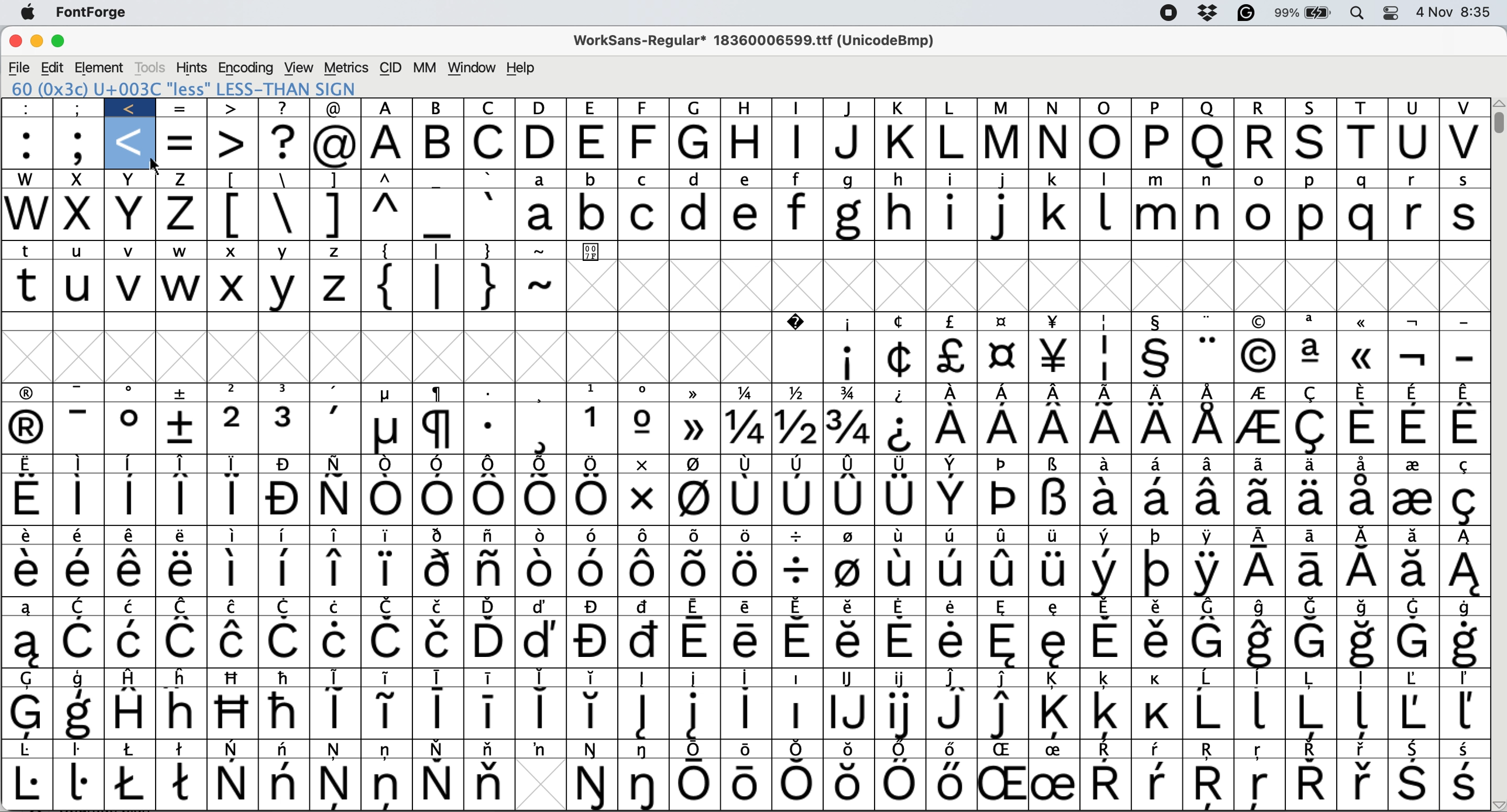 This screenshot has height=812, width=1507. Describe the element at coordinates (184, 748) in the screenshot. I see `Symbol` at that location.